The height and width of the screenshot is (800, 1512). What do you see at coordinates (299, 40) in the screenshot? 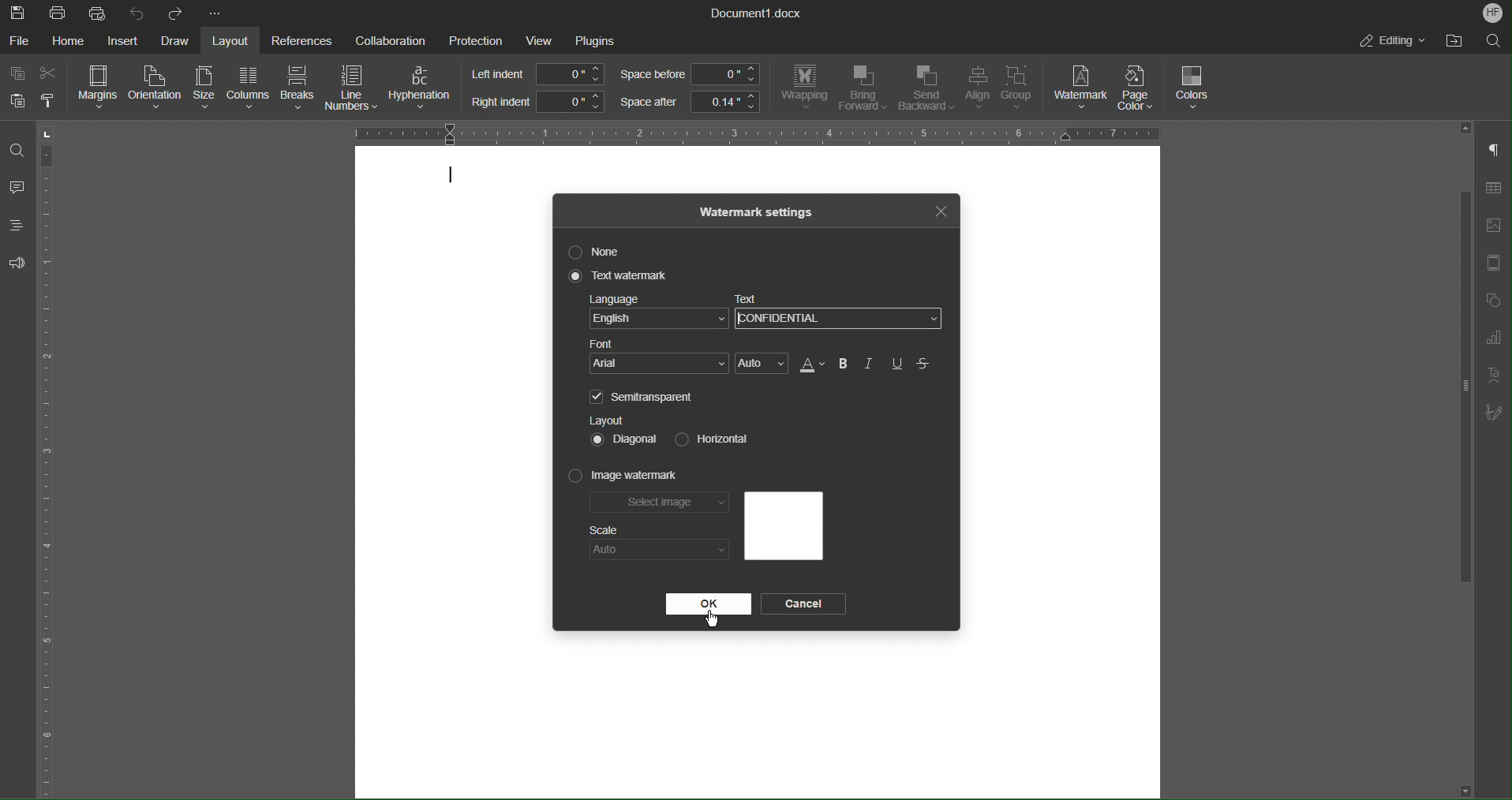
I see `References` at bounding box center [299, 40].